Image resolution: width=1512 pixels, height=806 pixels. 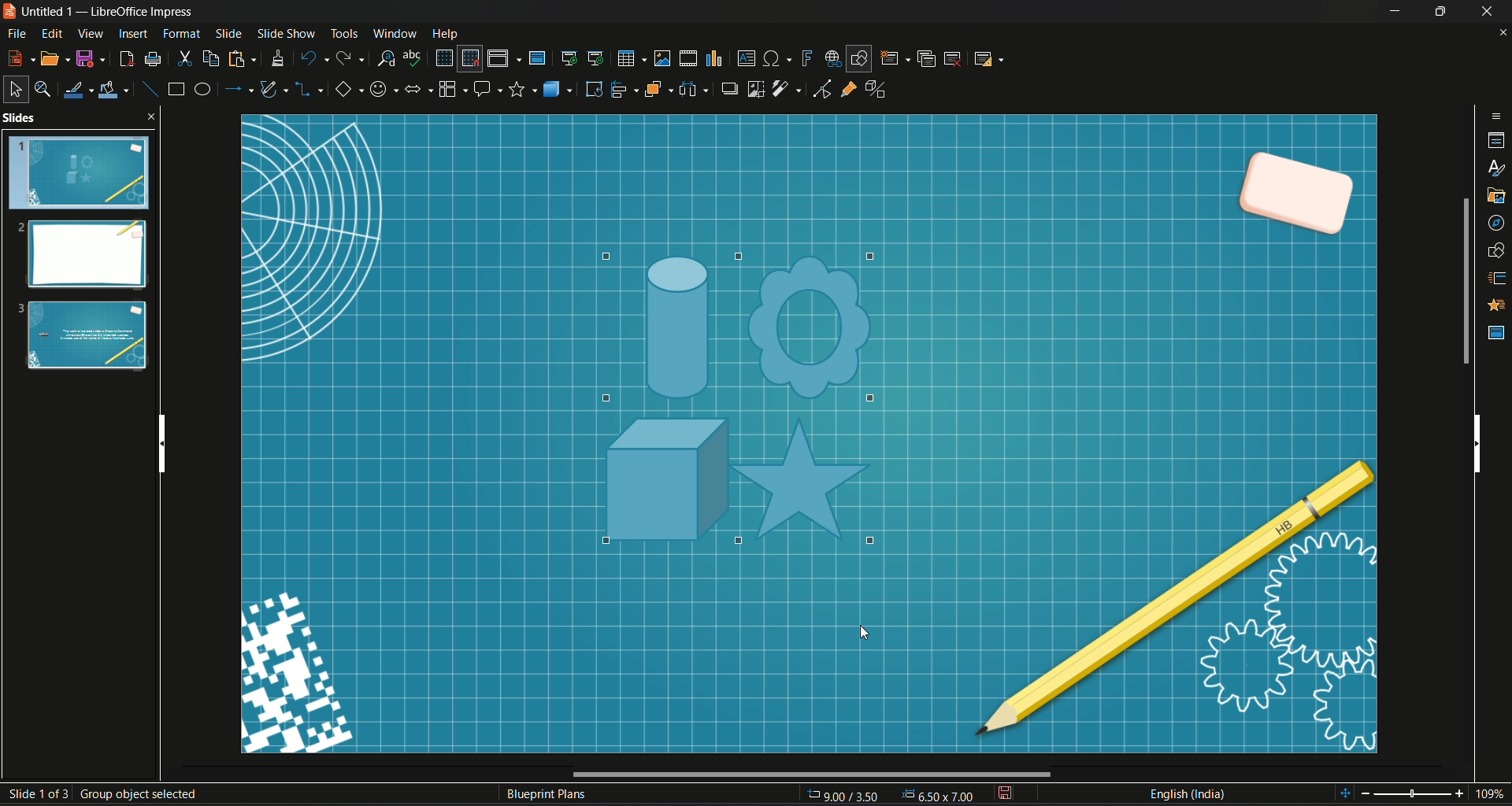 What do you see at coordinates (309, 91) in the screenshot?
I see `connectors` at bounding box center [309, 91].